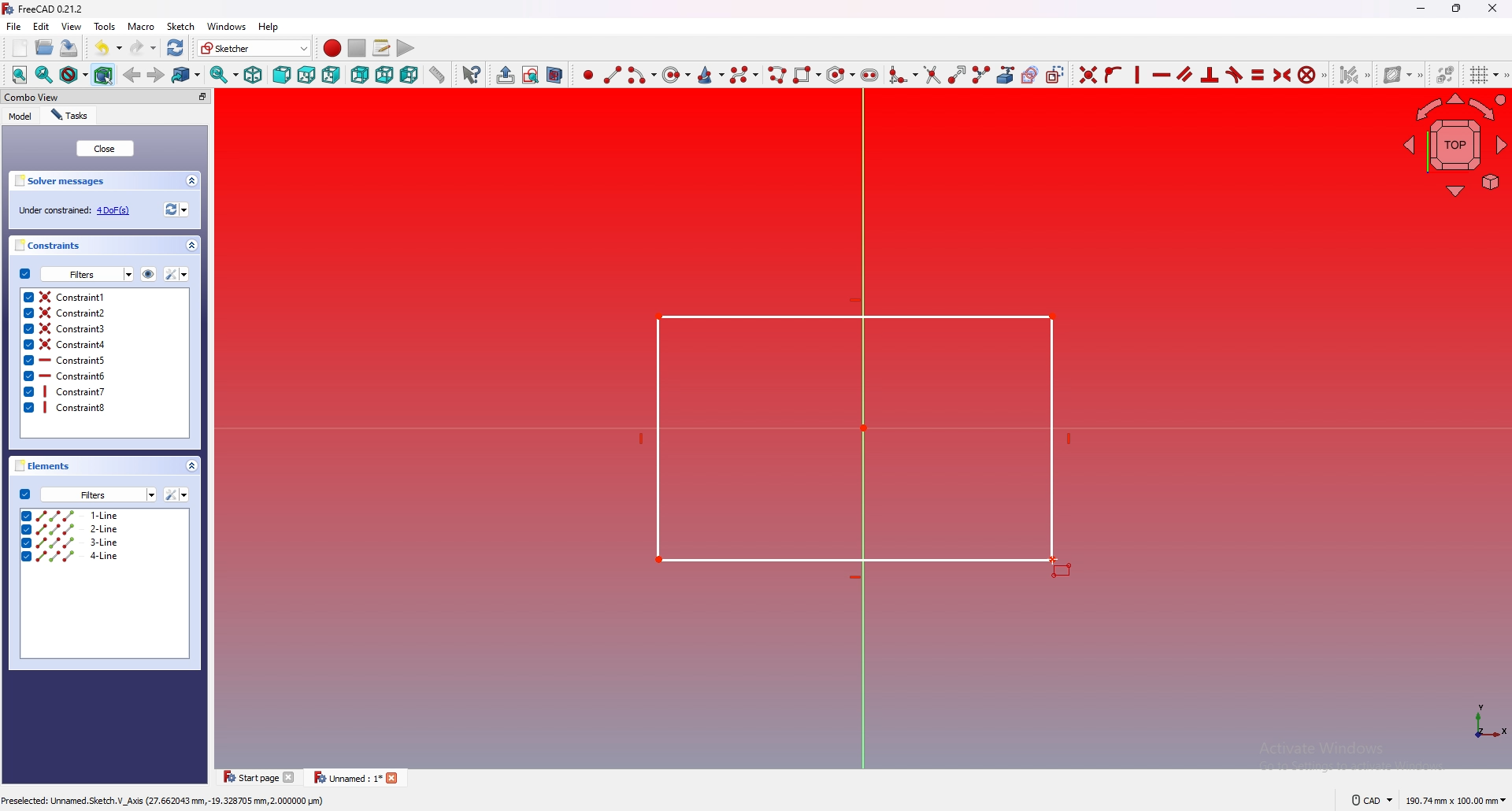  I want to click on create slot, so click(869, 76).